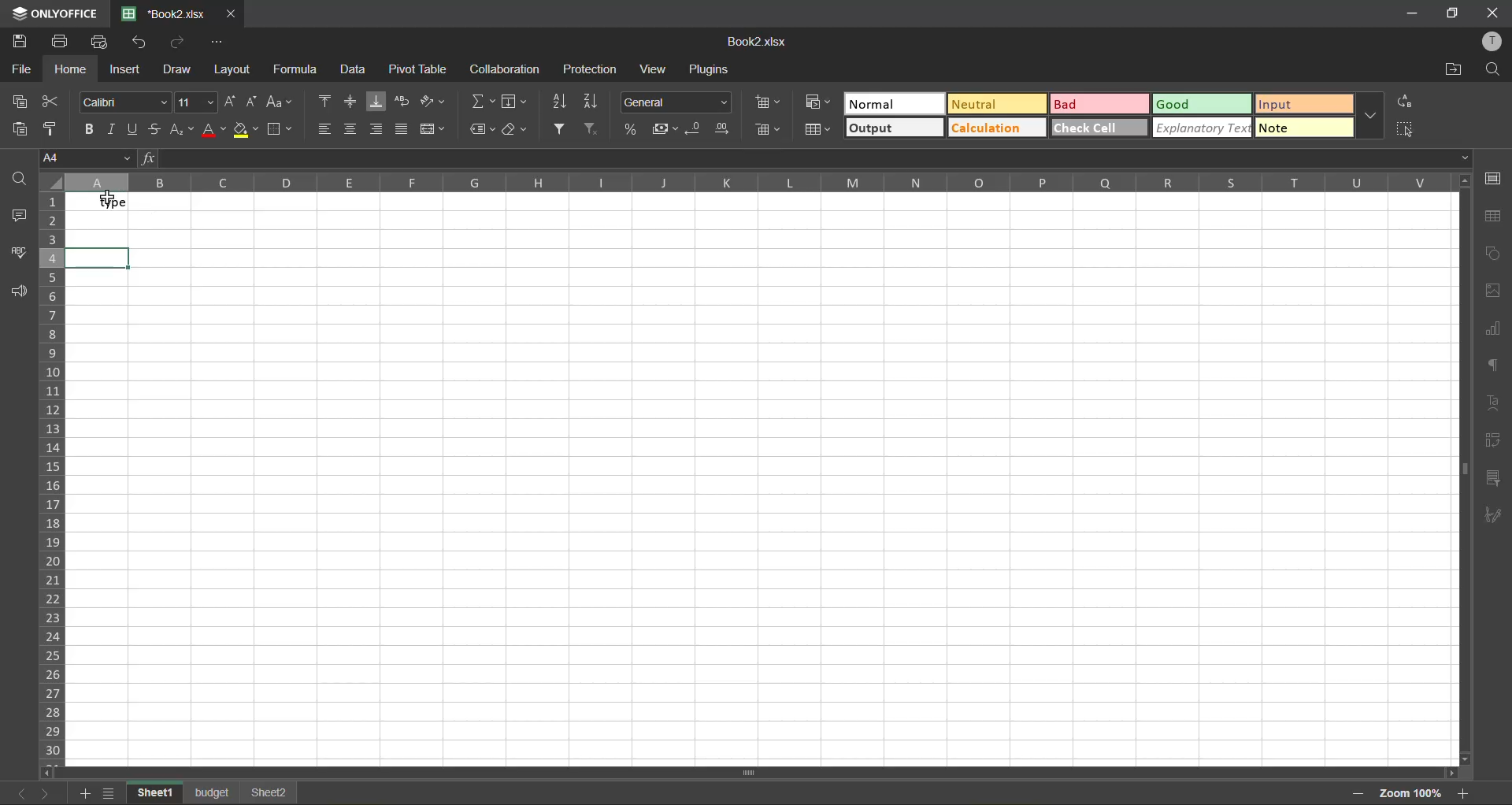 Image resolution: width=1512 pixels, height=805 pixels. I want to click on cursor, so click(109, 198).